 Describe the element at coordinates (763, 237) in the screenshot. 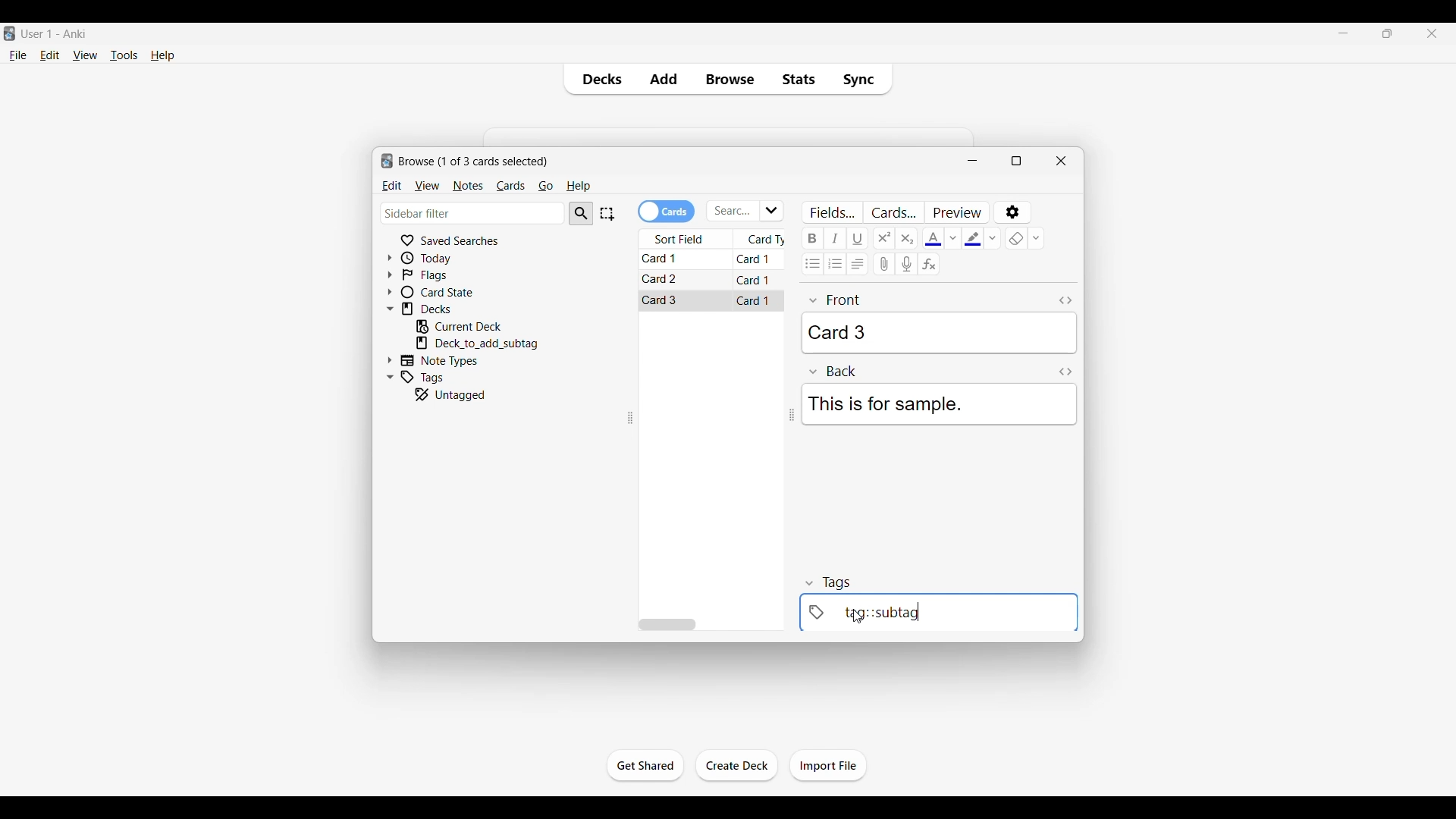

I see `Card type column` at that location.